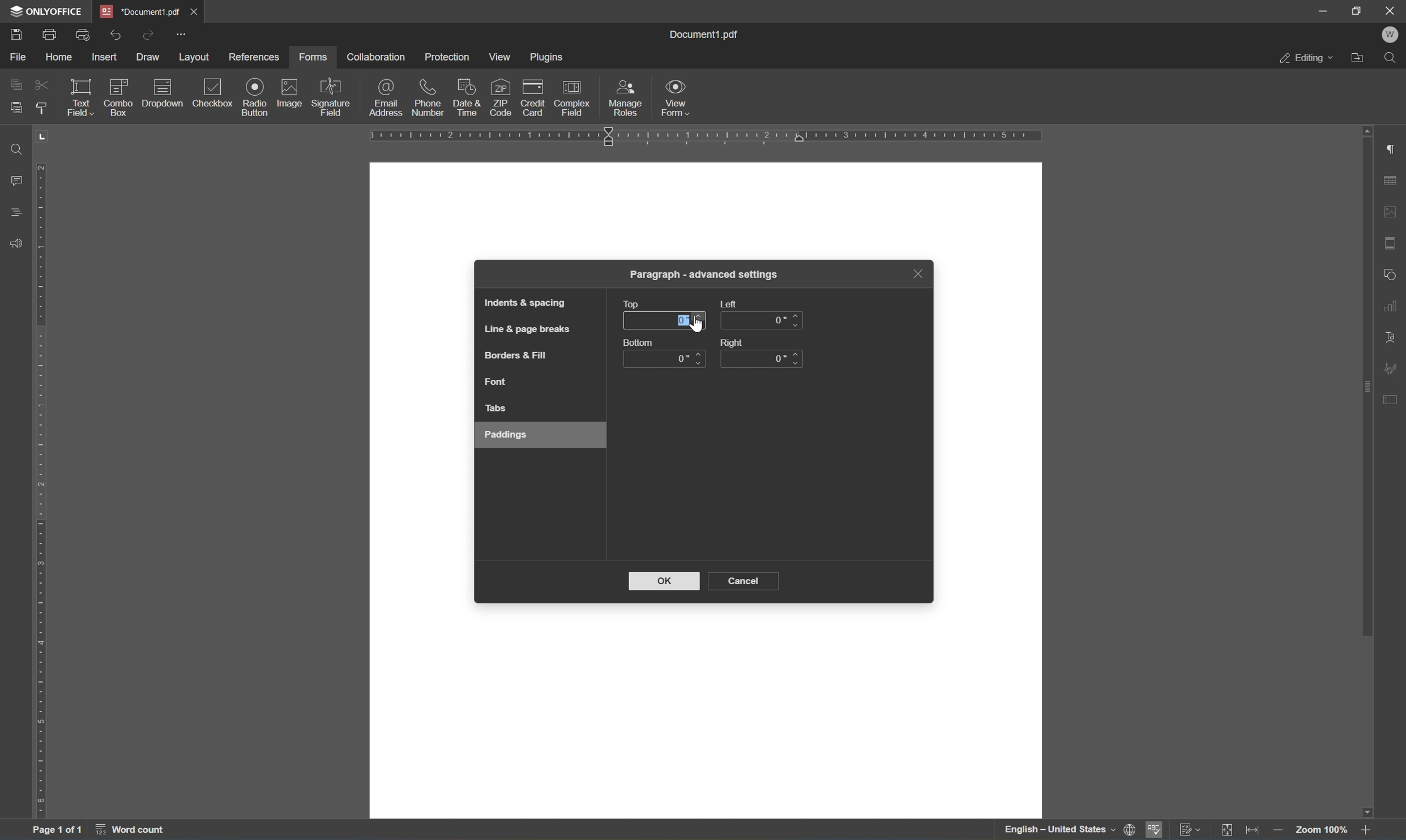 The width and height of the screenshot is (1406, 840). What do you see at coordinates (1228, 830) in the screenshot?
I see `fit to slide` at bounding box center [1228, 830].